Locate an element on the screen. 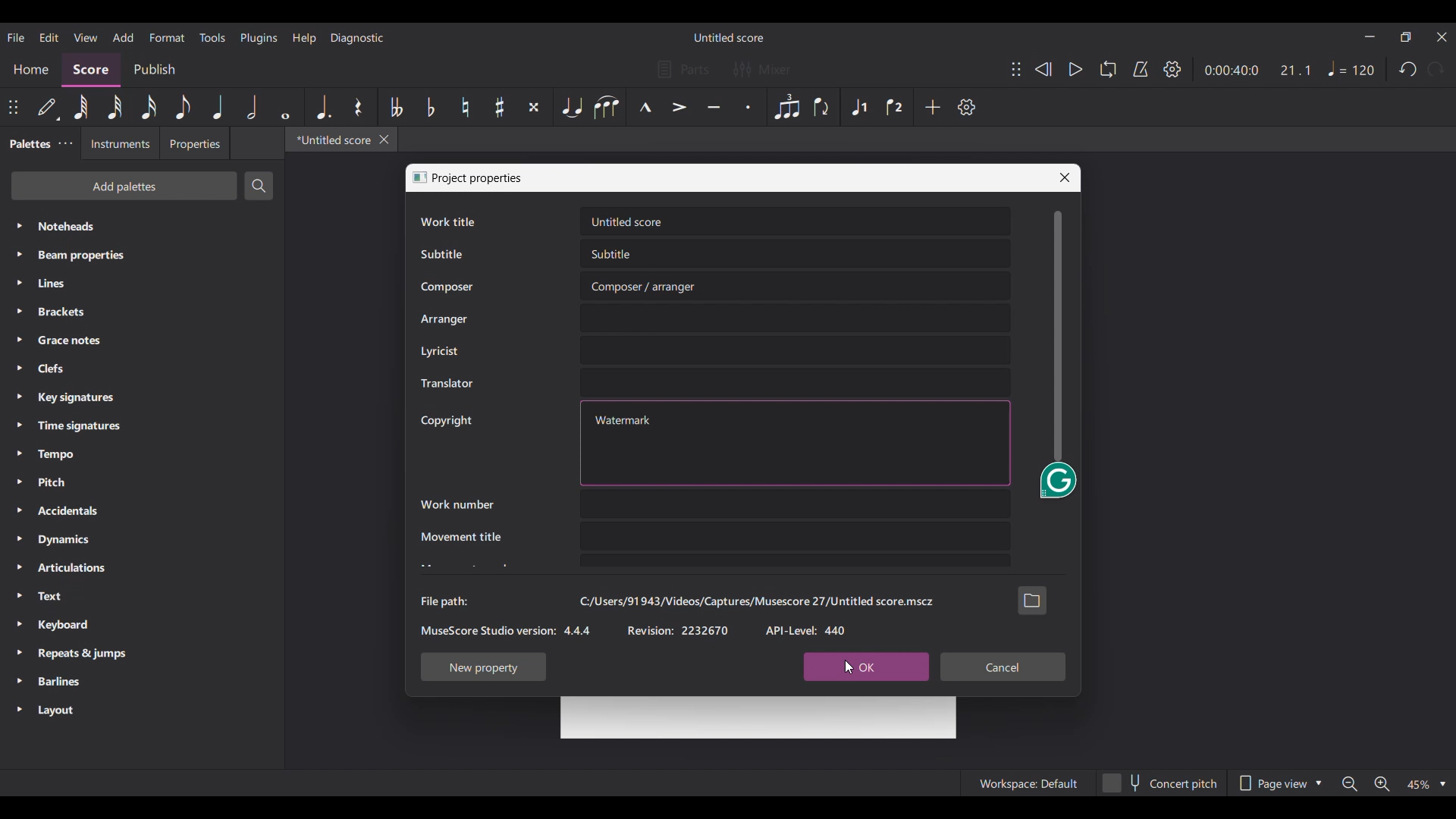 This screenshot has height=819, width=1456. API-Level: 440 is located at coordinates (807, 630).